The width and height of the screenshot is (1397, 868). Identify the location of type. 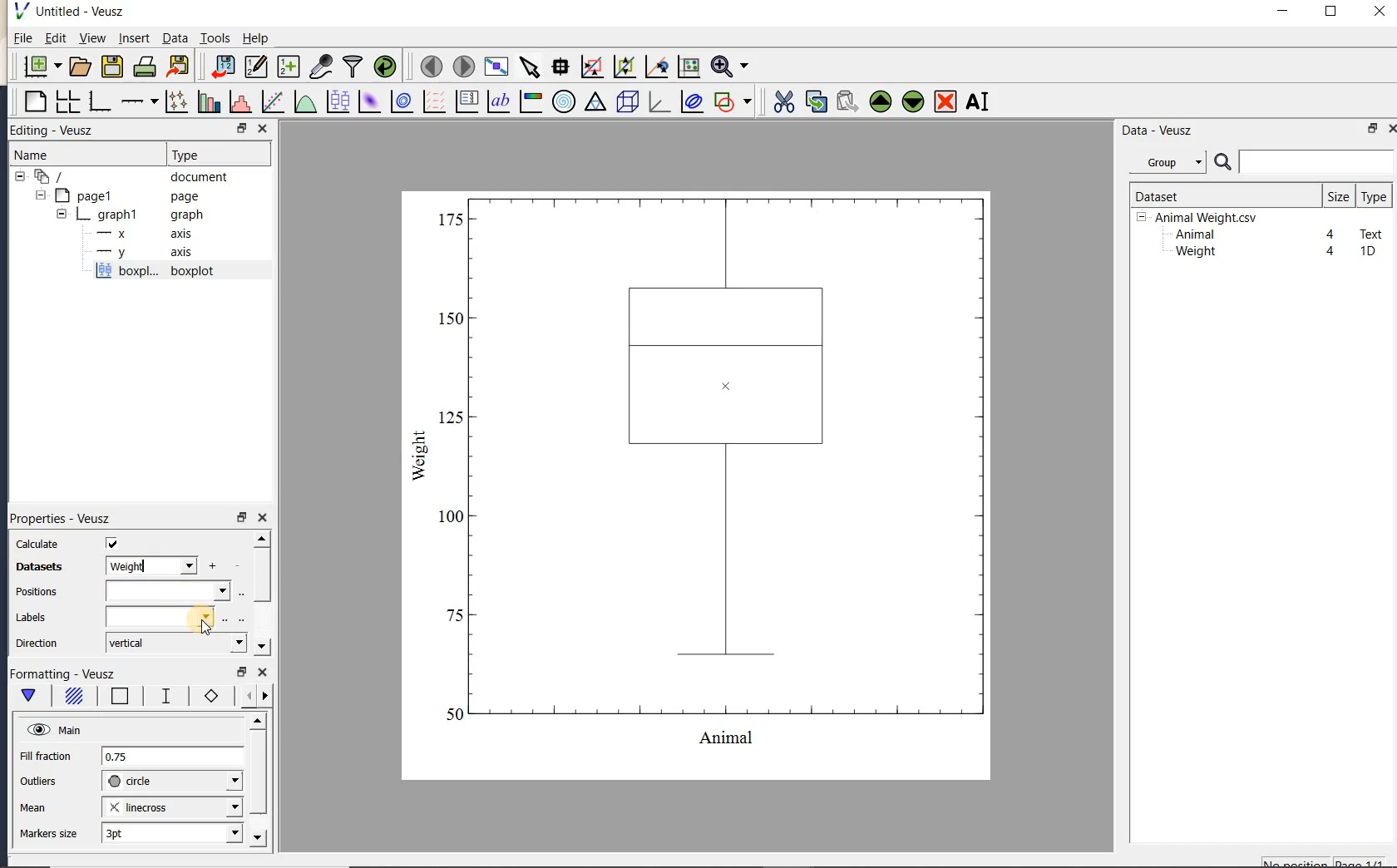
(1373, 196).